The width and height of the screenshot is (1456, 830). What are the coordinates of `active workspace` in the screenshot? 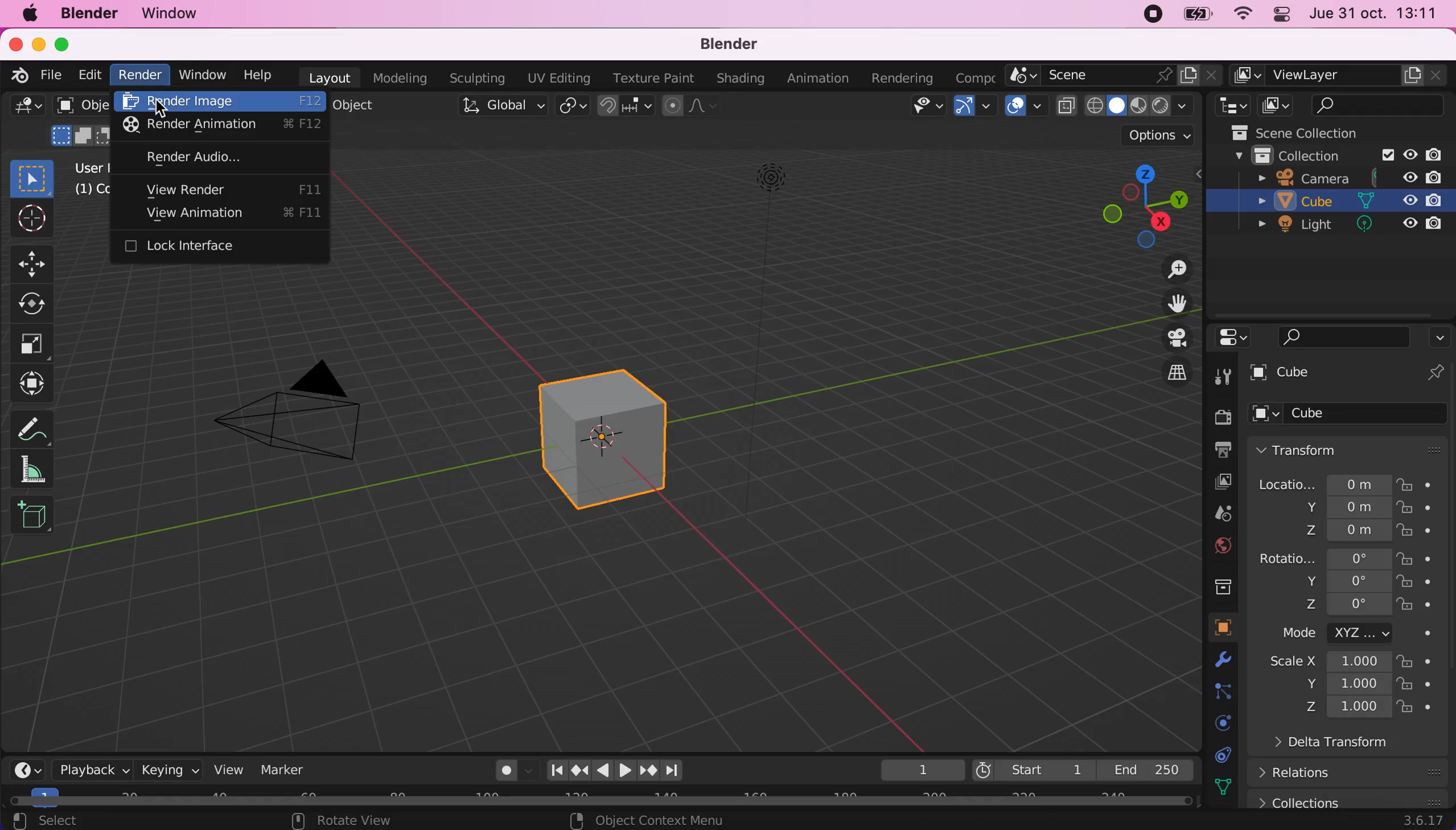 It's located at (974, 75).